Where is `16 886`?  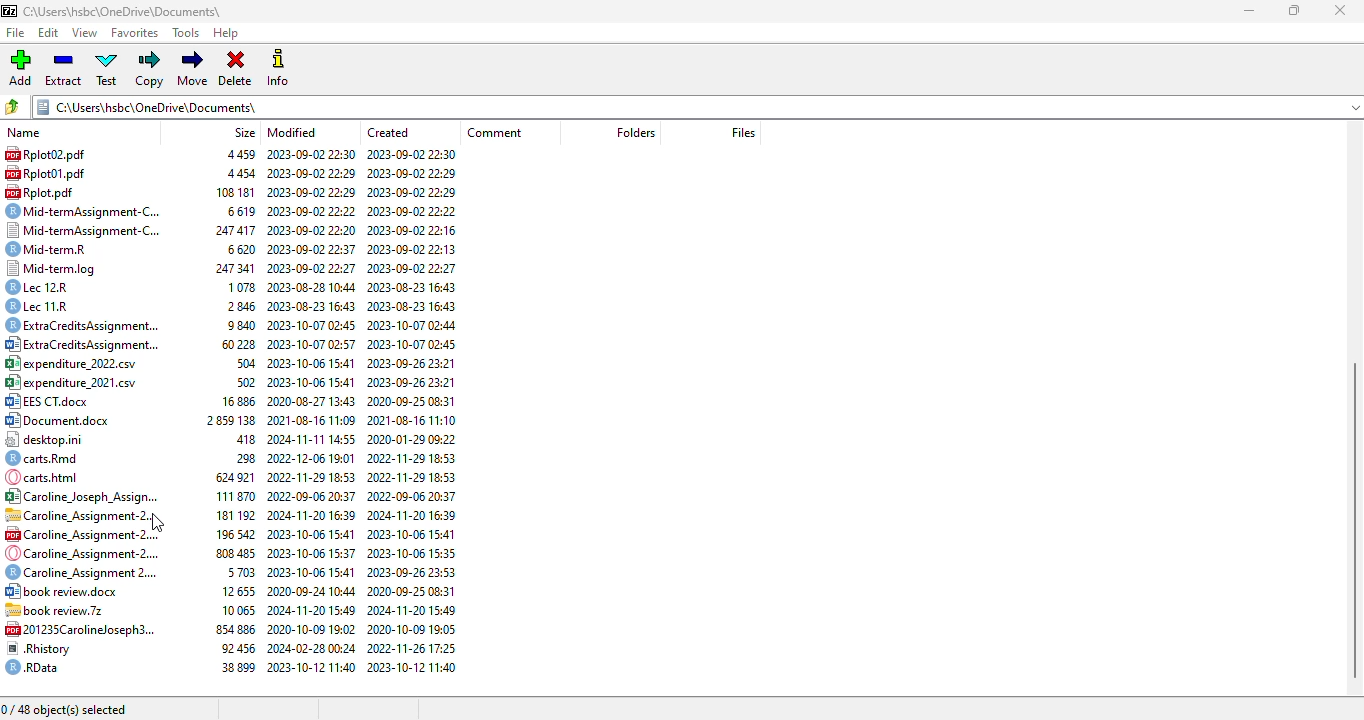
16 886 is located at coordinates (235, 400).